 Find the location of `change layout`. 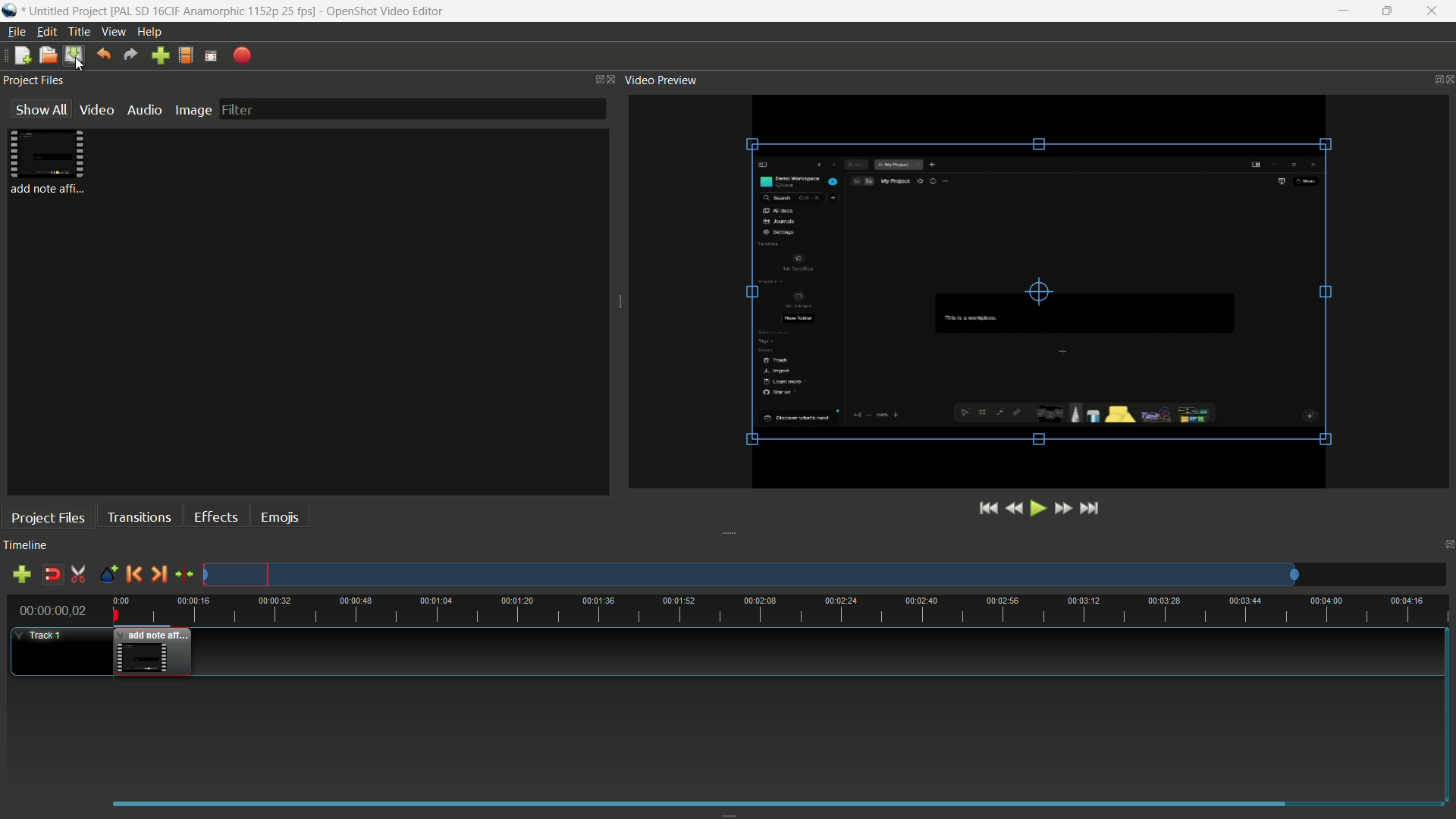

change layout is located at coordinates (593, 80).